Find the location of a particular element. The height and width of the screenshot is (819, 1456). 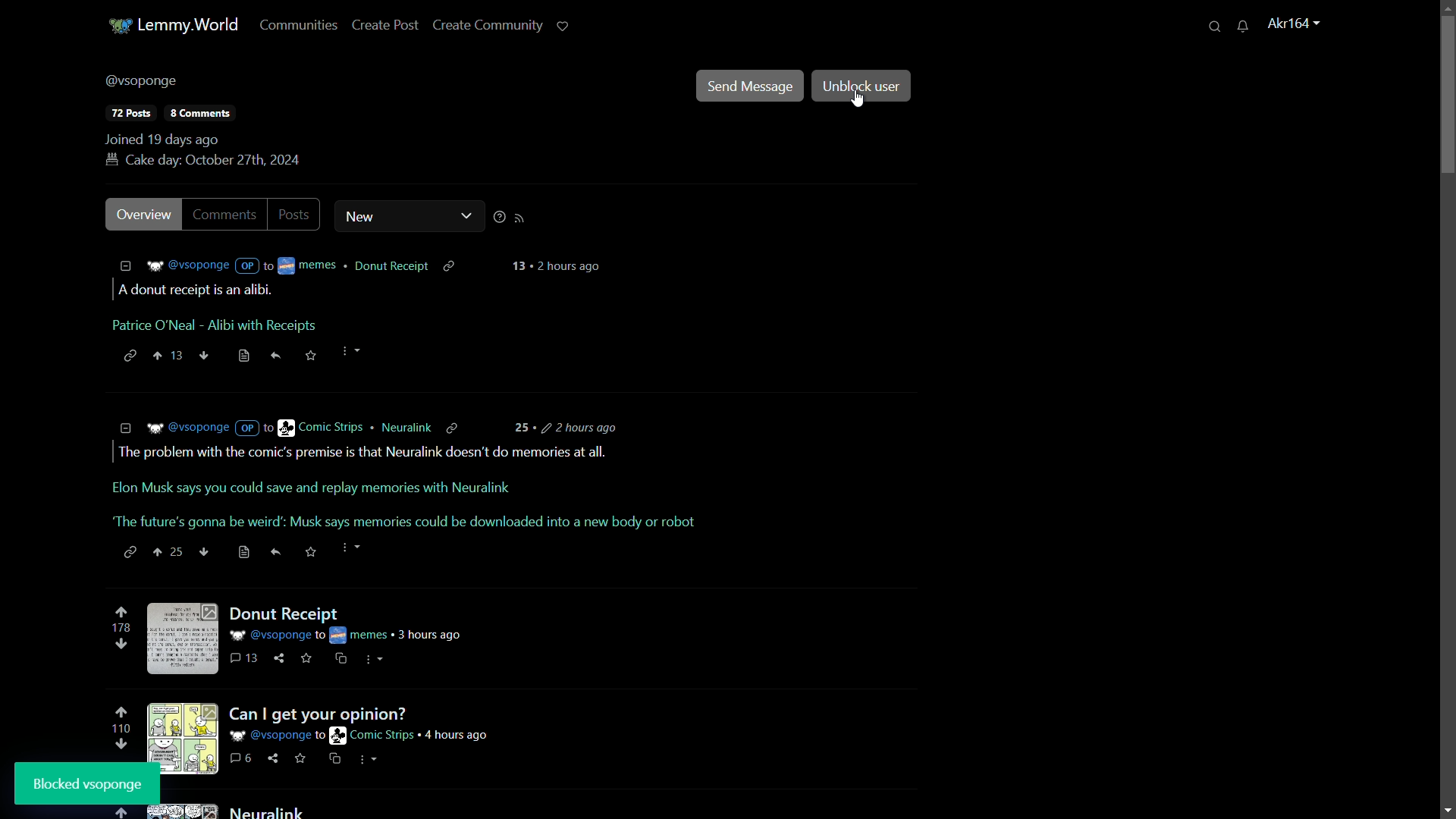

link is located at coordinates (303, 763).